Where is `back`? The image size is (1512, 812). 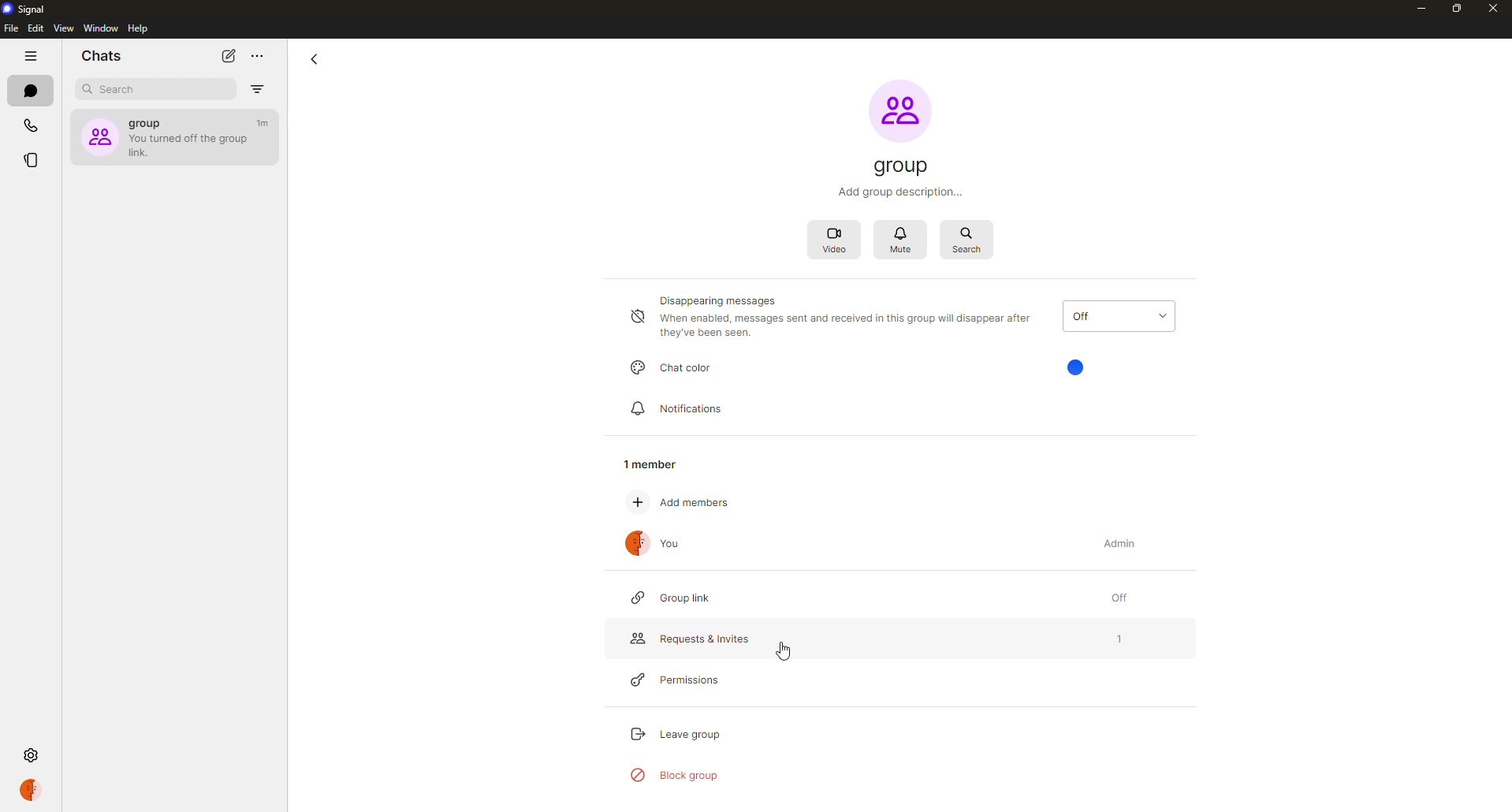 back is located at coordinates (315, 58).